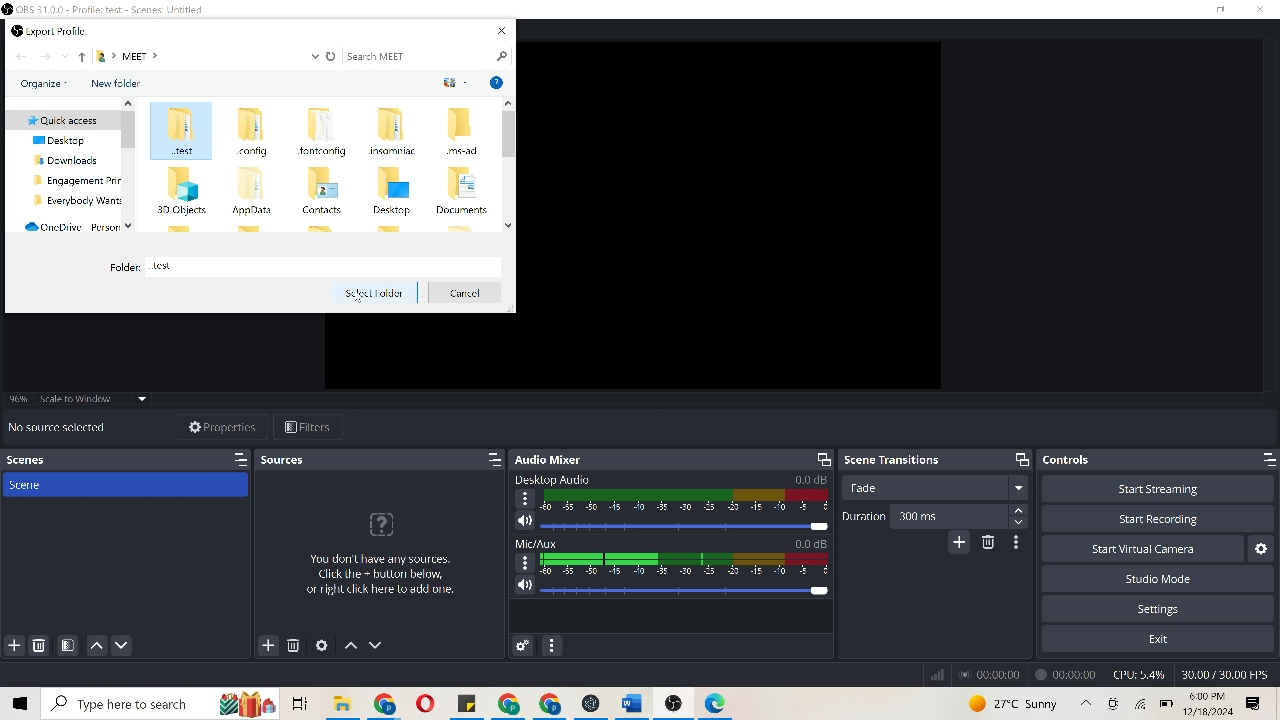  I want to click on advanced audio properties, so click(520, 645).